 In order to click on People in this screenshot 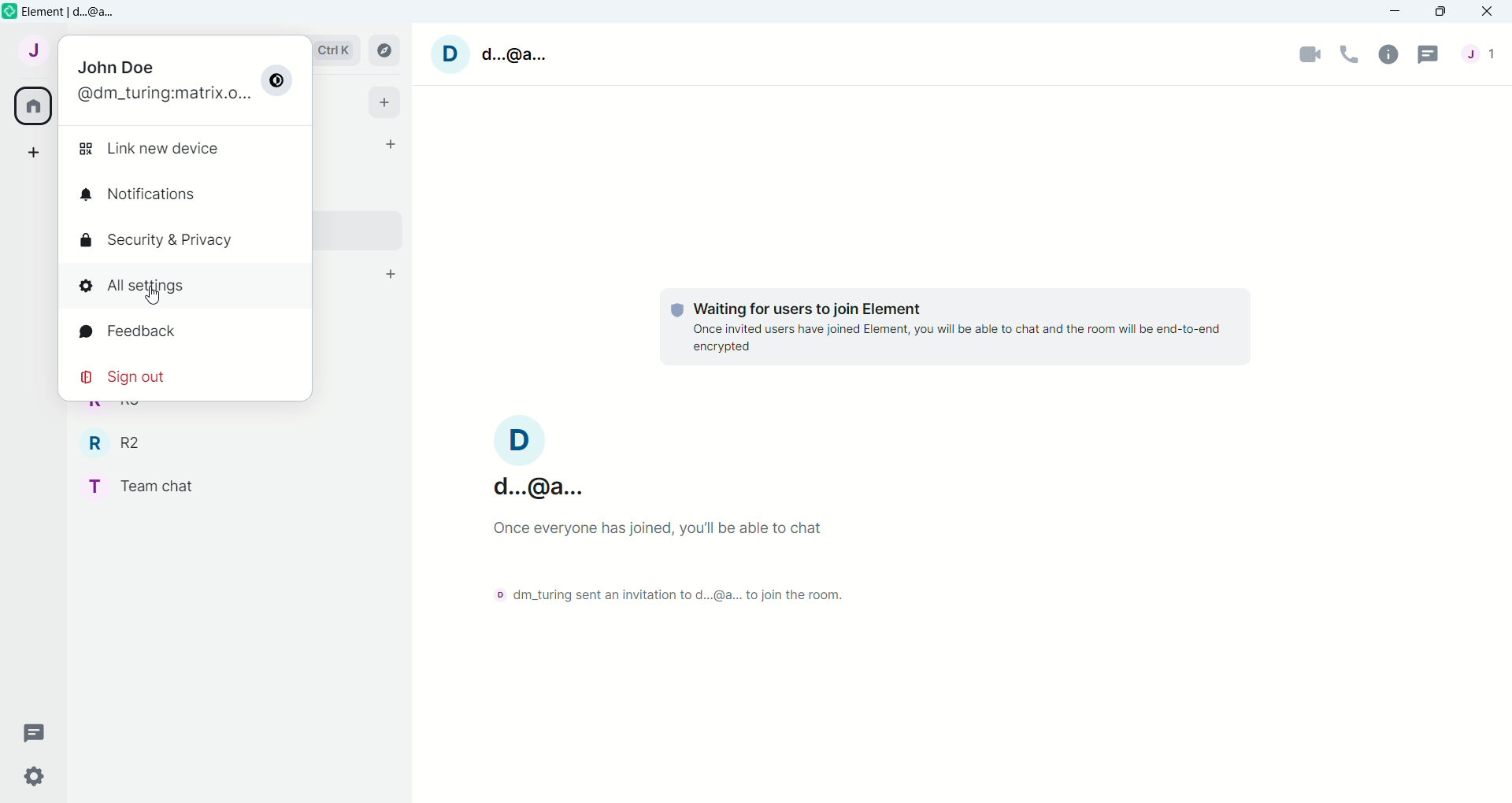, I will do `click(1480, 54)`.